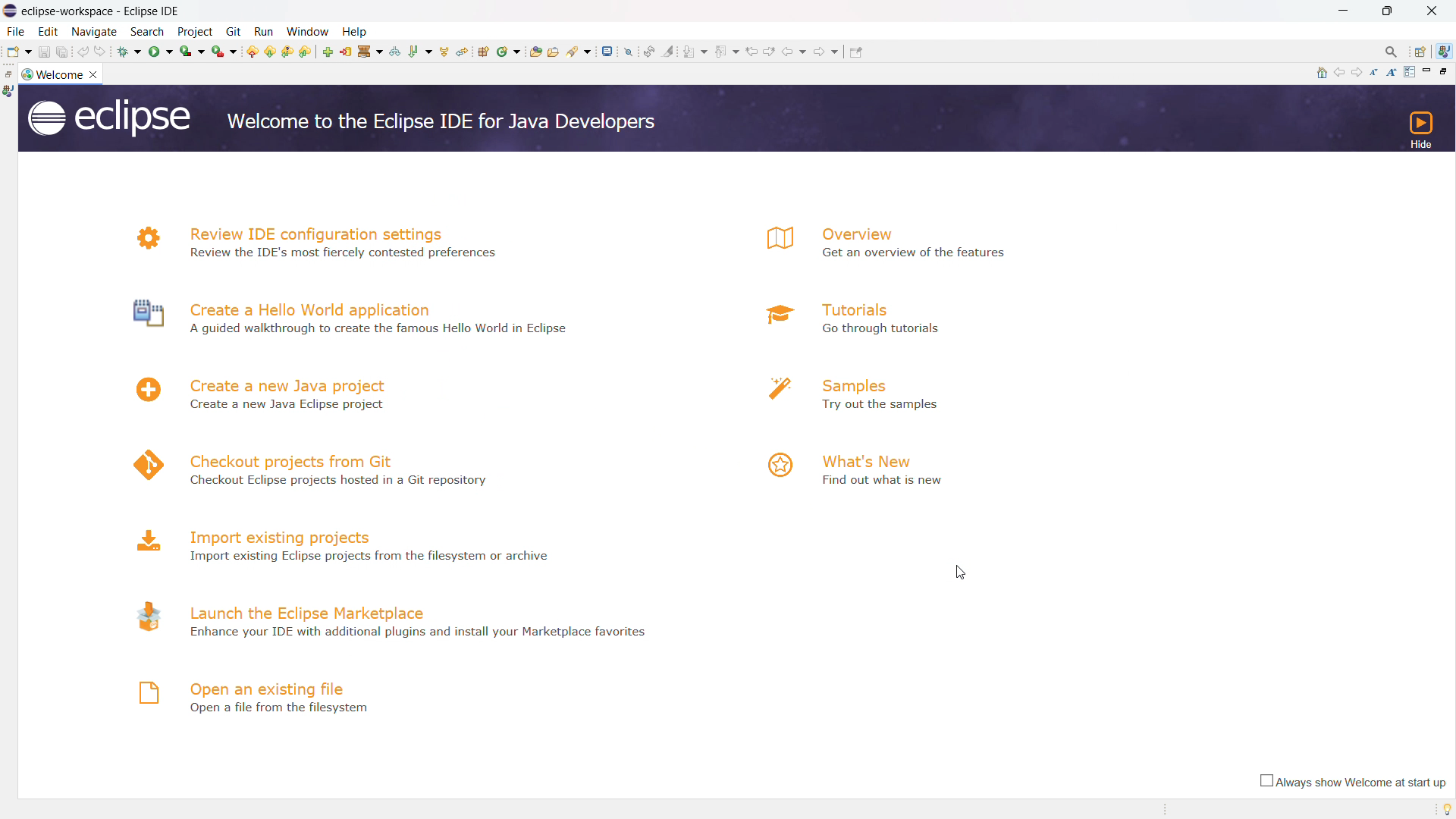 The image size is (1456, 819). I want to click on search, so click(149, 32).